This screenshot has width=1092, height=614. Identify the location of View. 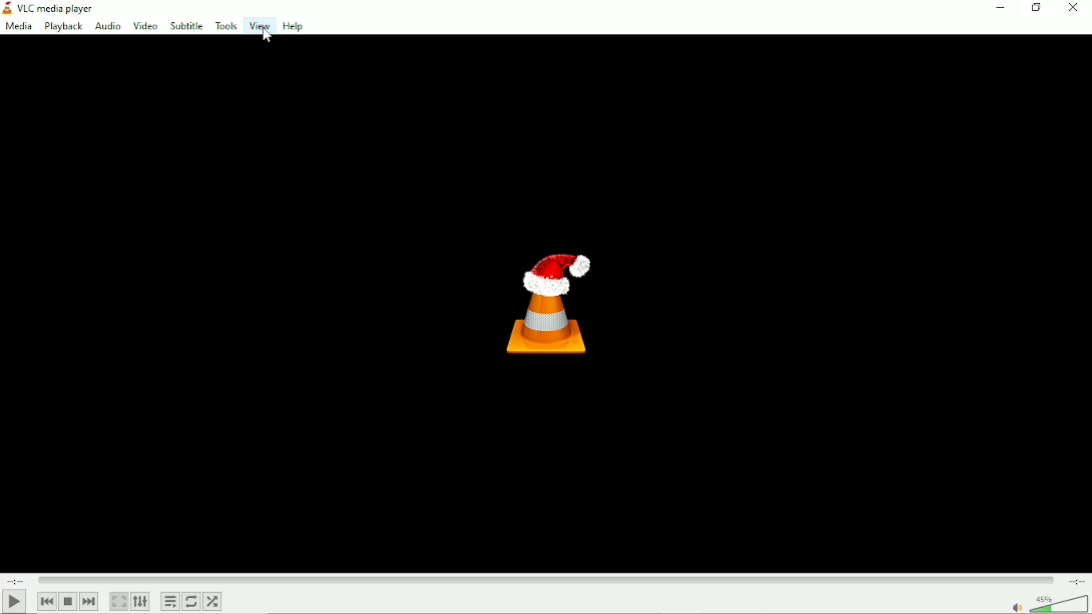
(259, 25).